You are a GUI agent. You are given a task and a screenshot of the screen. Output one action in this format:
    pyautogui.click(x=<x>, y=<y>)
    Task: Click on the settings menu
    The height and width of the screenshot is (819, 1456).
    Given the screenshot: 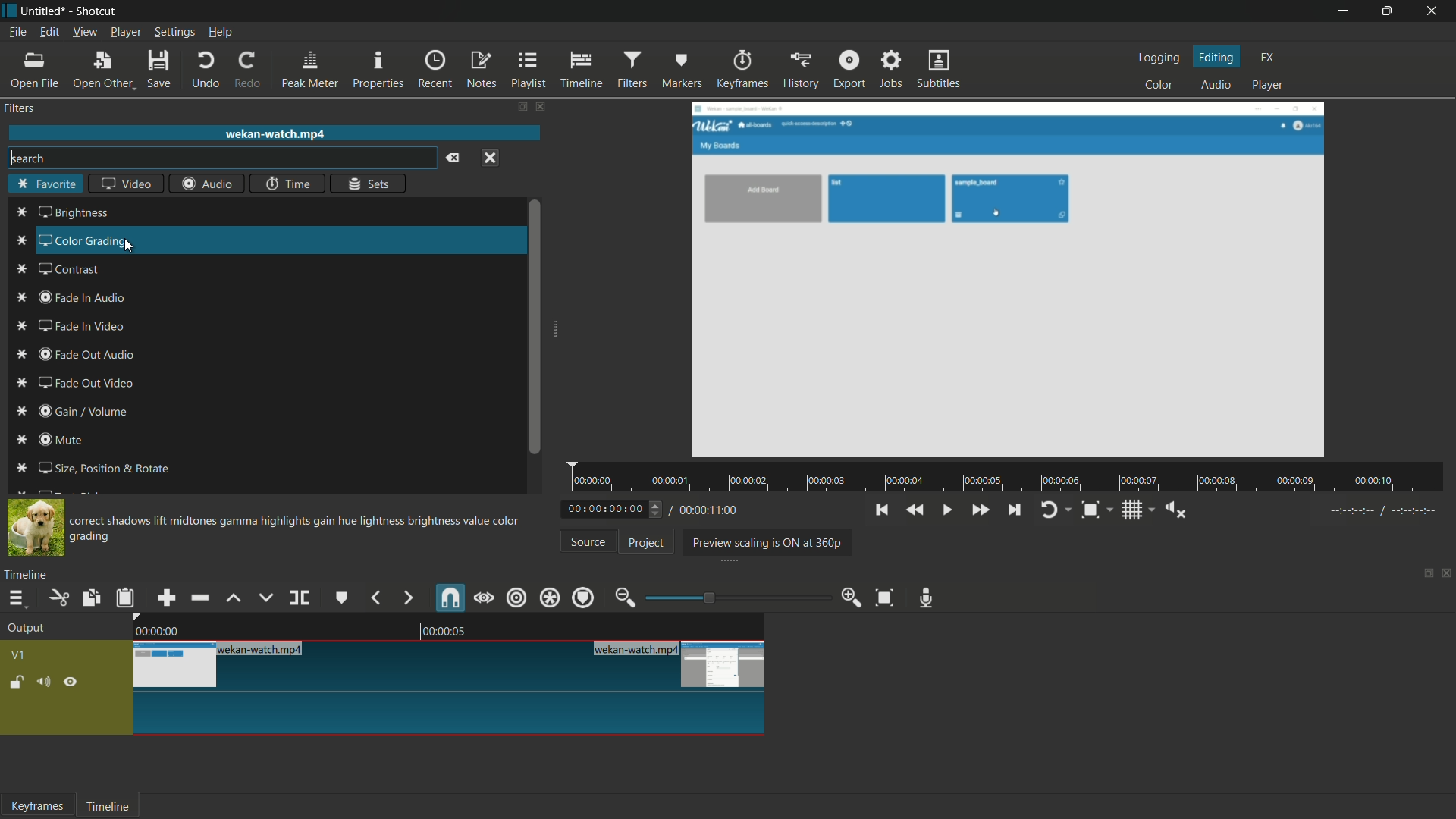 What is the action you would take?
    pyautogui.click(x=174, y=32)
    